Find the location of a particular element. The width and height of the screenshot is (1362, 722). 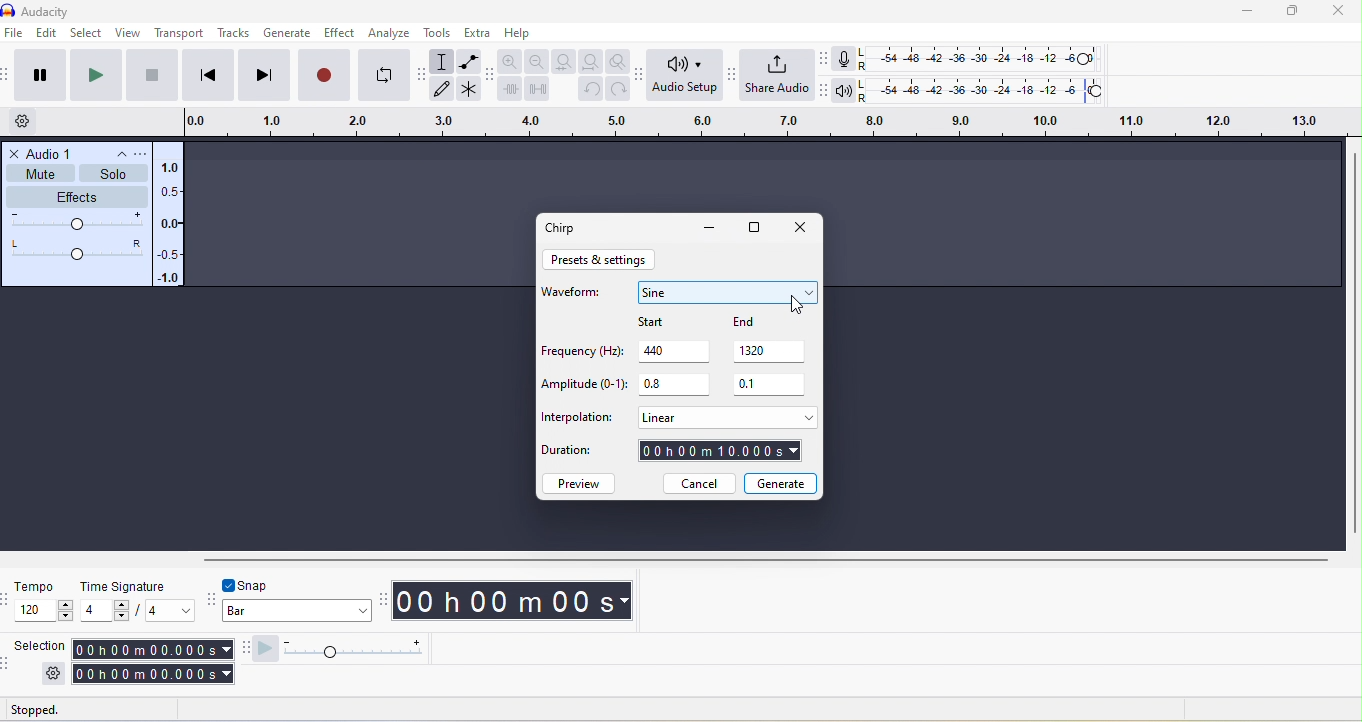

linear is located at coordinates (725, 417).